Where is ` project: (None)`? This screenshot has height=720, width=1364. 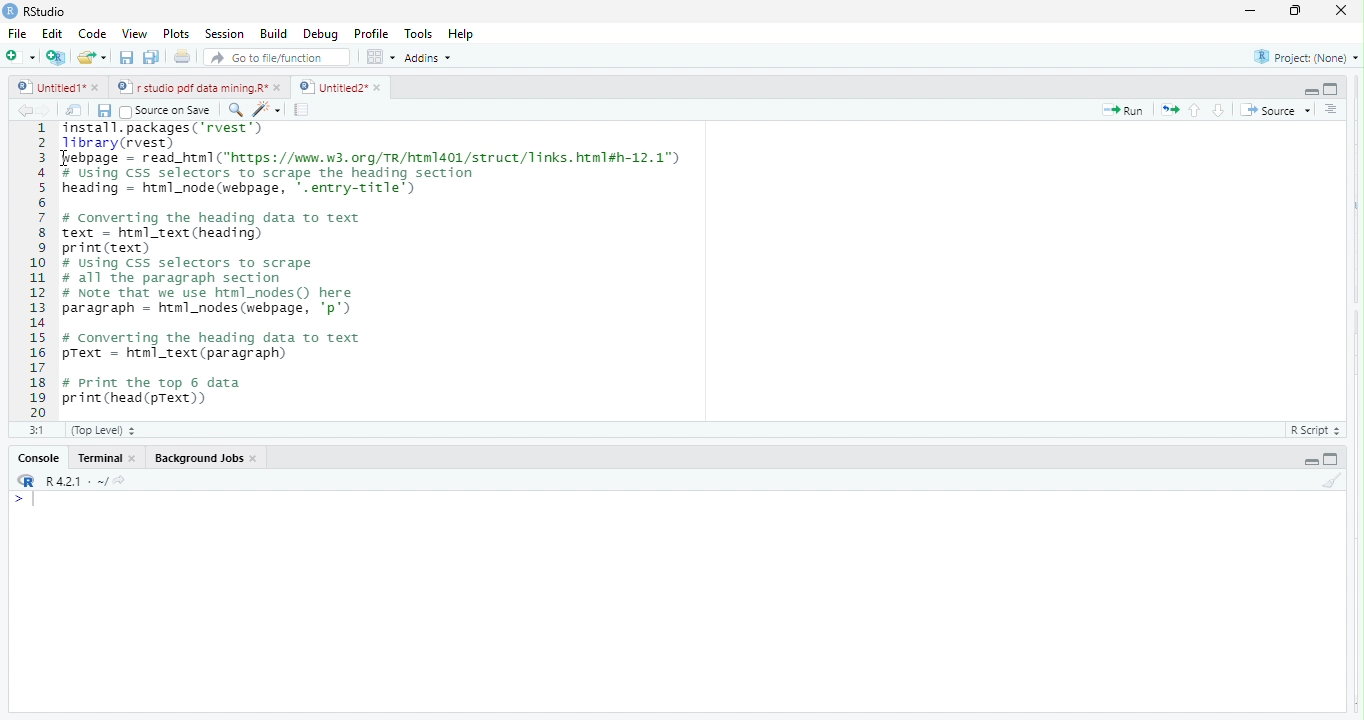  project: (None) is located at coordinates (1307, 60).